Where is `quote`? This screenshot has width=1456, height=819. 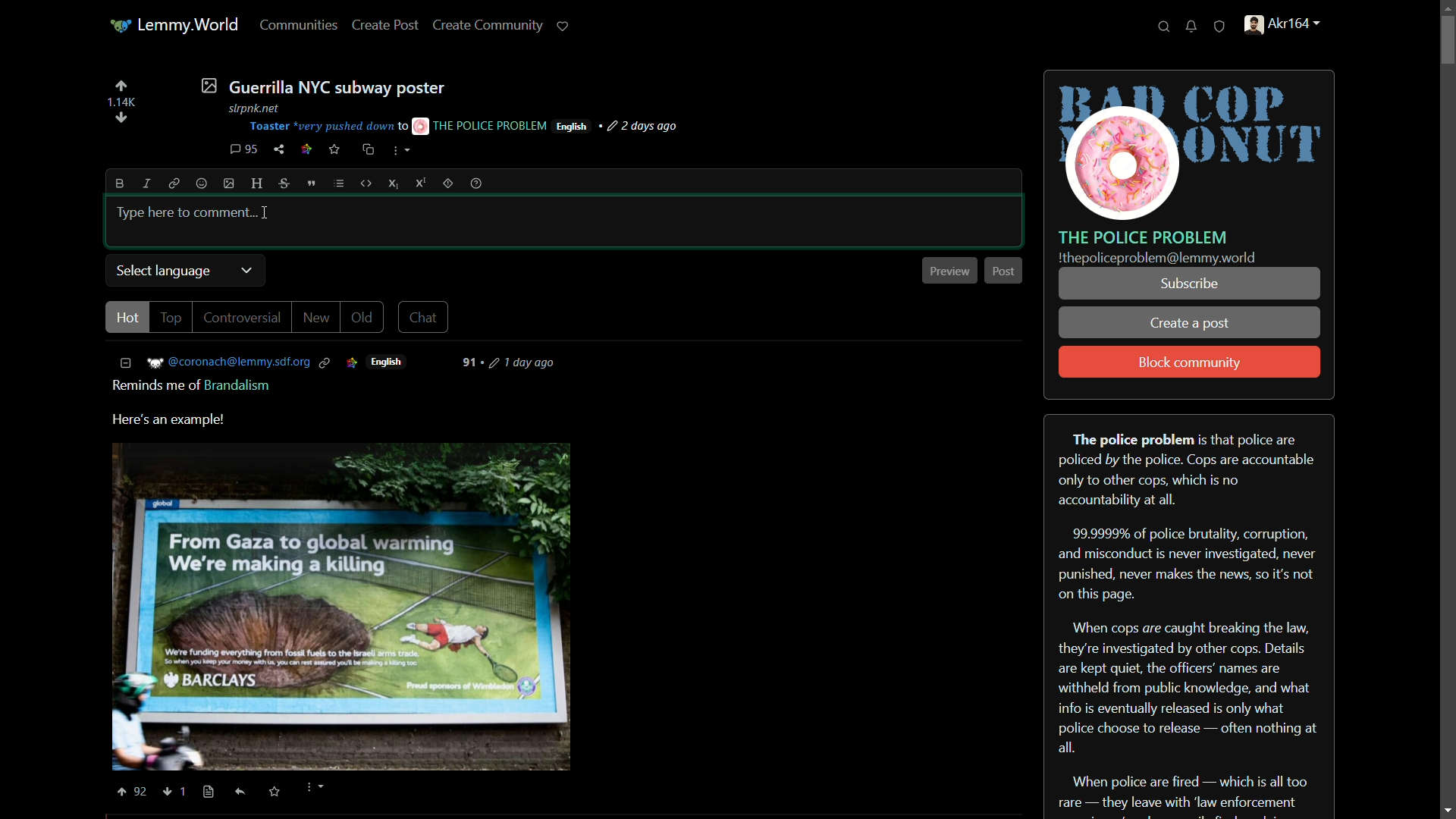
quote is located at coordinates (312, 184).